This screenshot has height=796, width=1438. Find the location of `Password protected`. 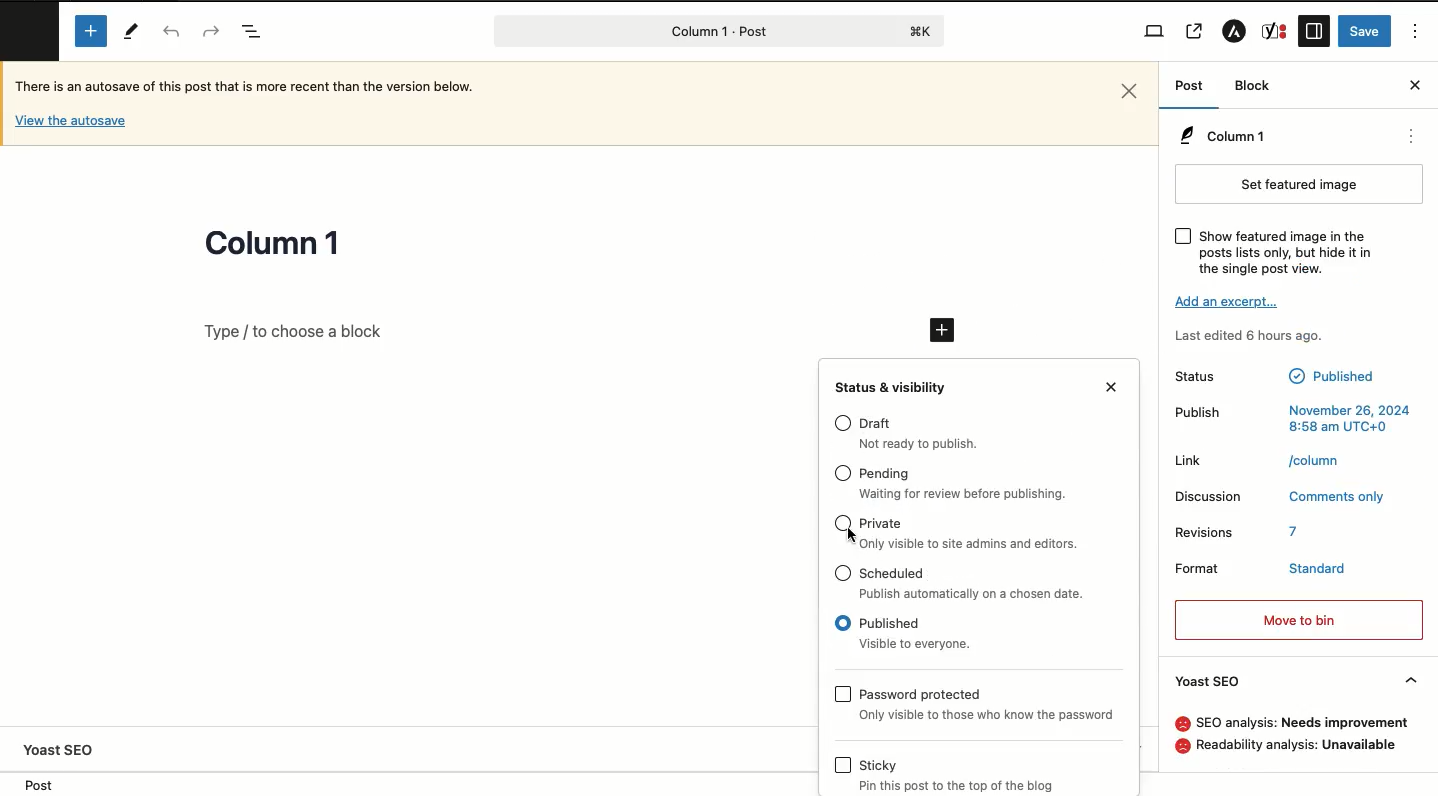

Password protected is located at coordinates (922, 694).